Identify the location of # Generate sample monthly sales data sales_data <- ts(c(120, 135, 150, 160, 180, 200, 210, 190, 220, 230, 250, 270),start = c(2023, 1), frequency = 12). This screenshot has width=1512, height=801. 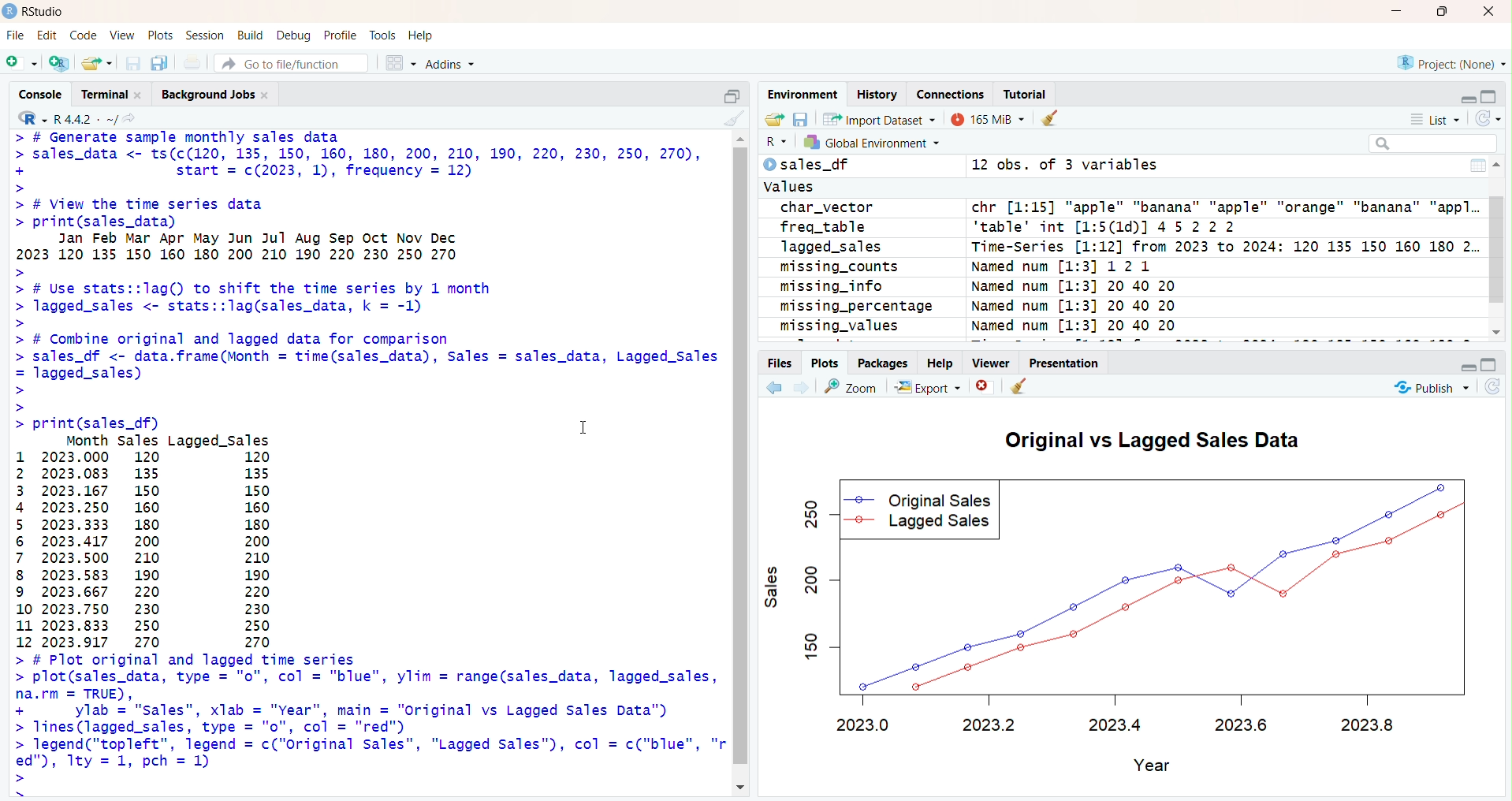
(360, 162).